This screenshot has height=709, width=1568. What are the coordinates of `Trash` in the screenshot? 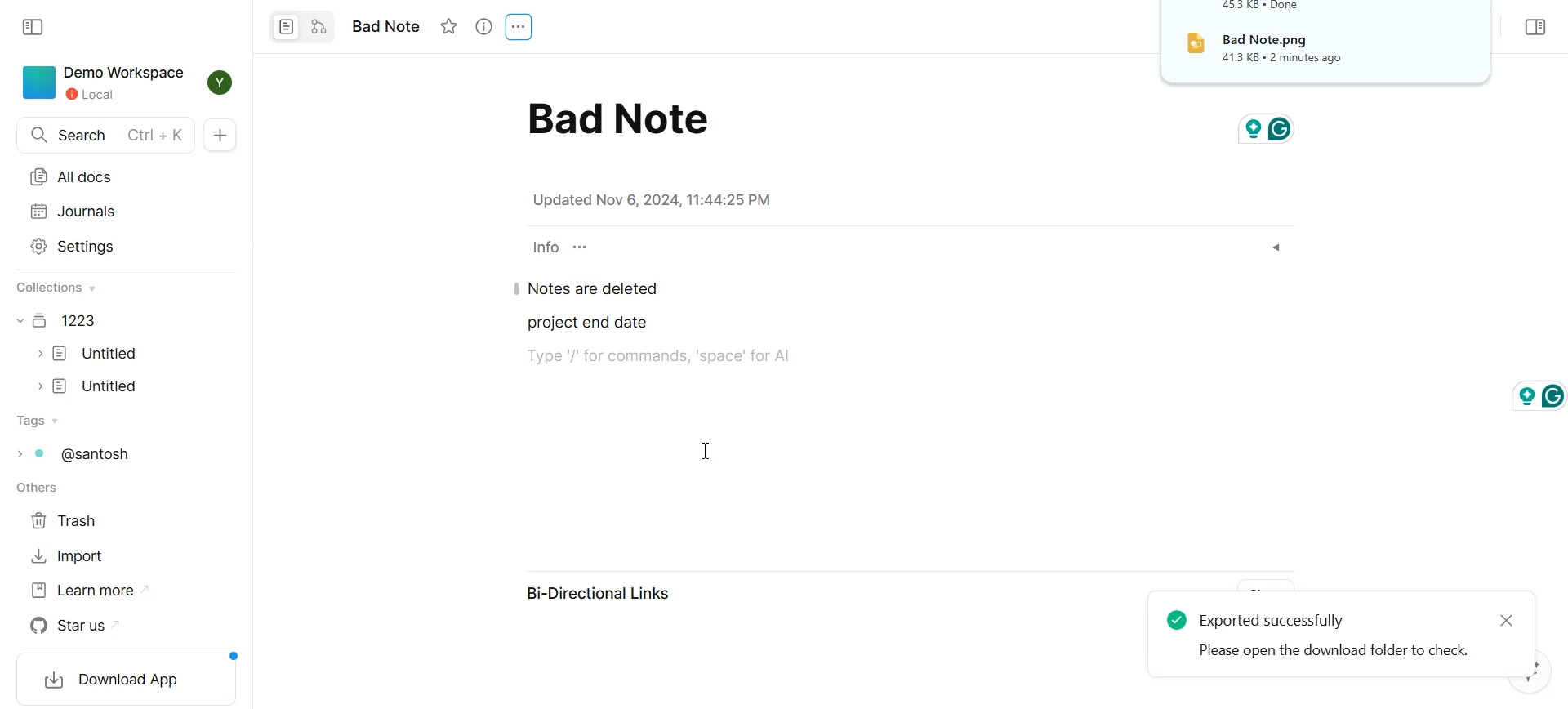 It's located at (69, 520).